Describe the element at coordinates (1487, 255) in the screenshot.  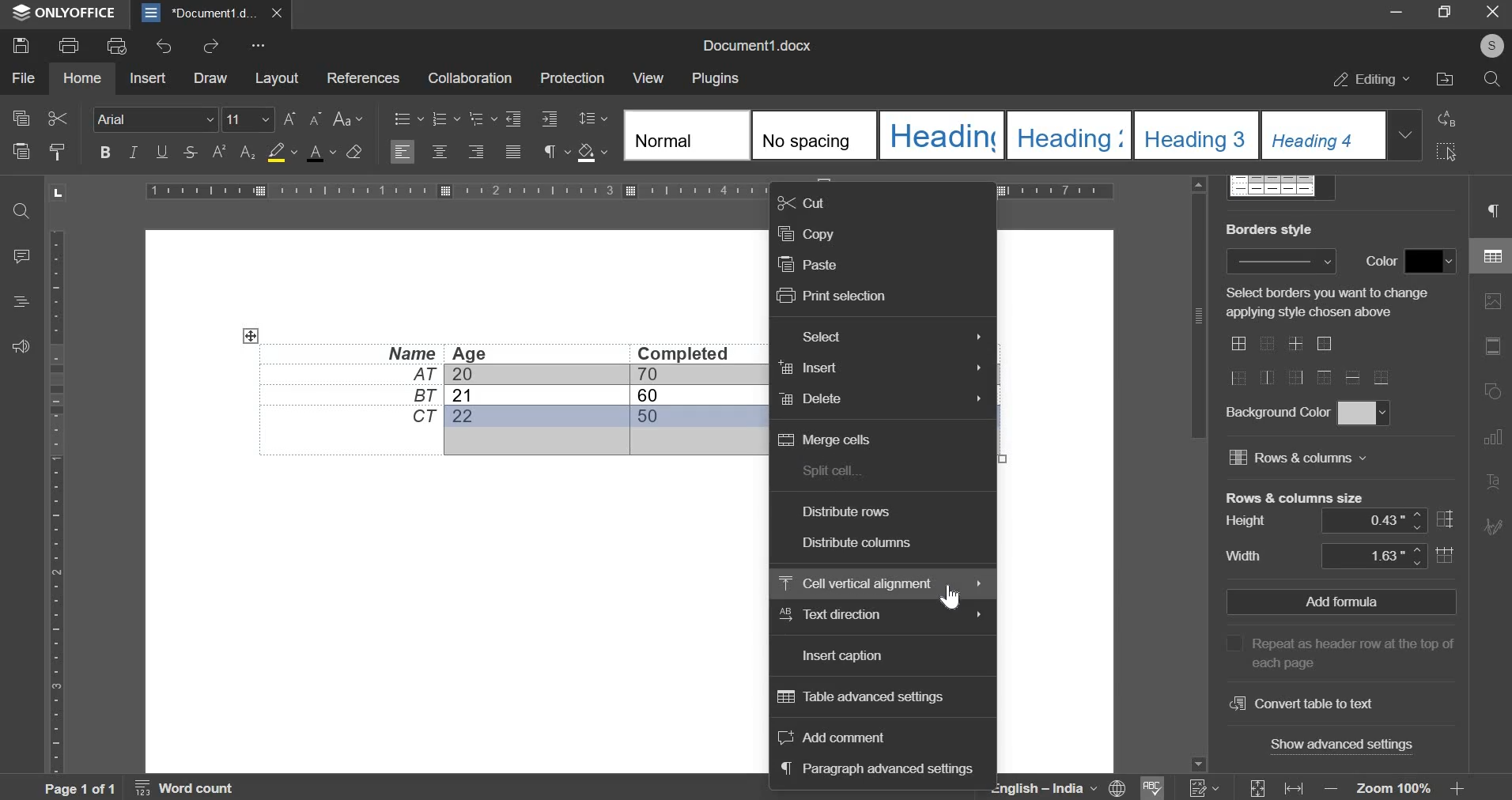
I see `table settings` at that location.